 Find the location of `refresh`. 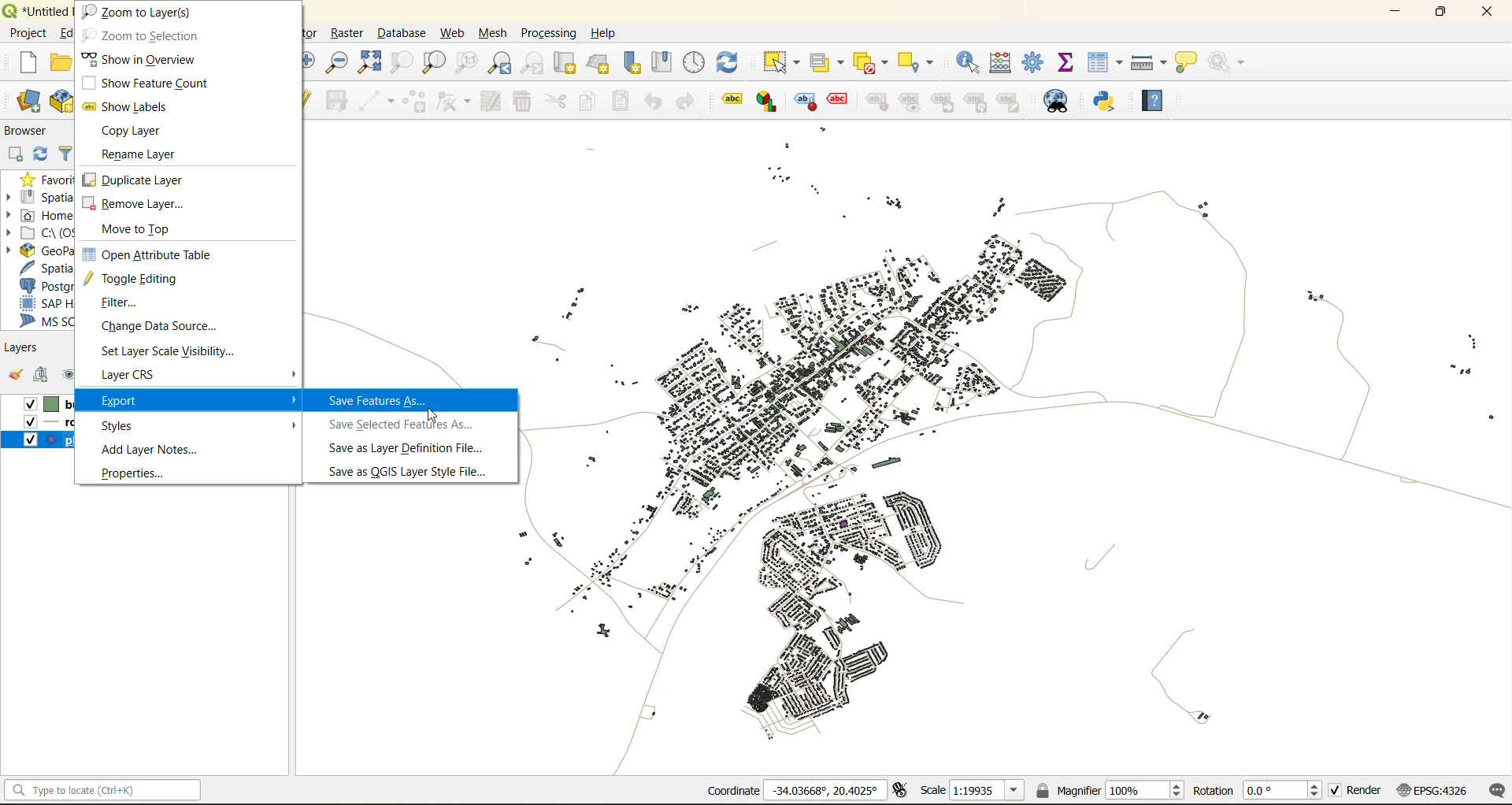

refresh is located at coordinates (736, 59).